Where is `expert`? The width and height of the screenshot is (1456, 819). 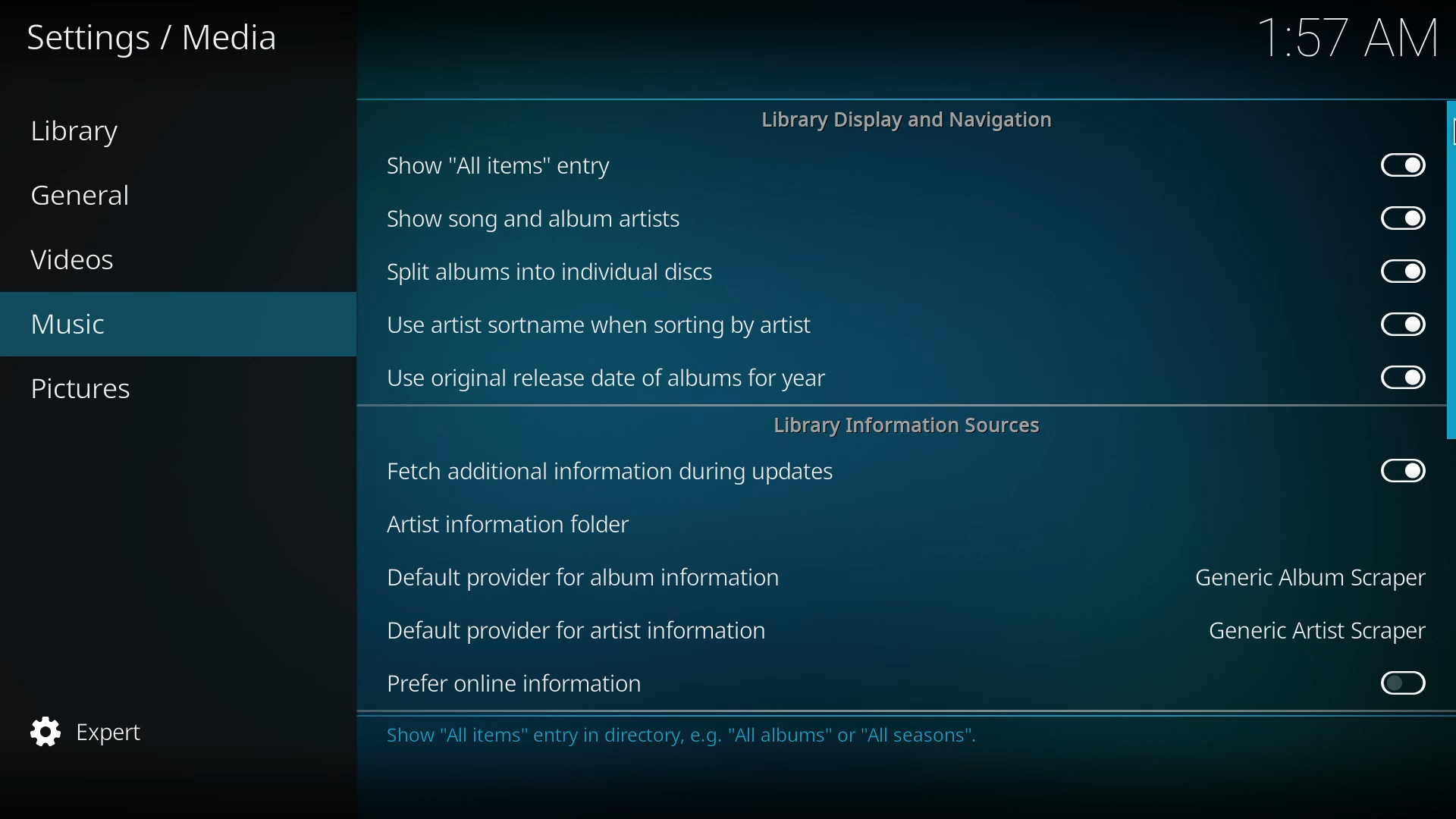
expert is located at coordinates (93, 730).